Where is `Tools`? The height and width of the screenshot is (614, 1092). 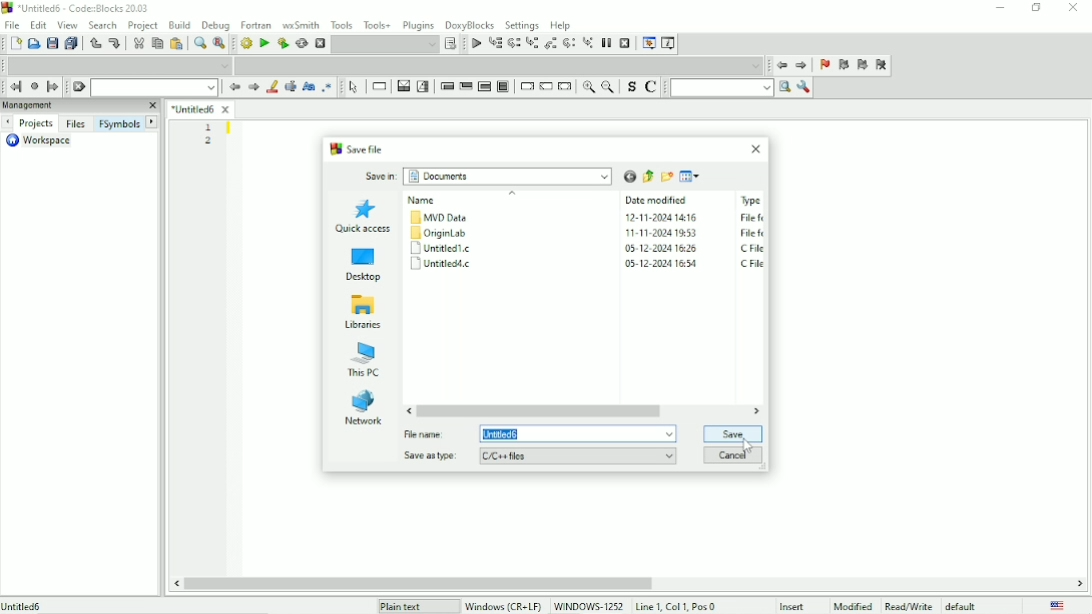
Tools is located at coordinates (341, 24).